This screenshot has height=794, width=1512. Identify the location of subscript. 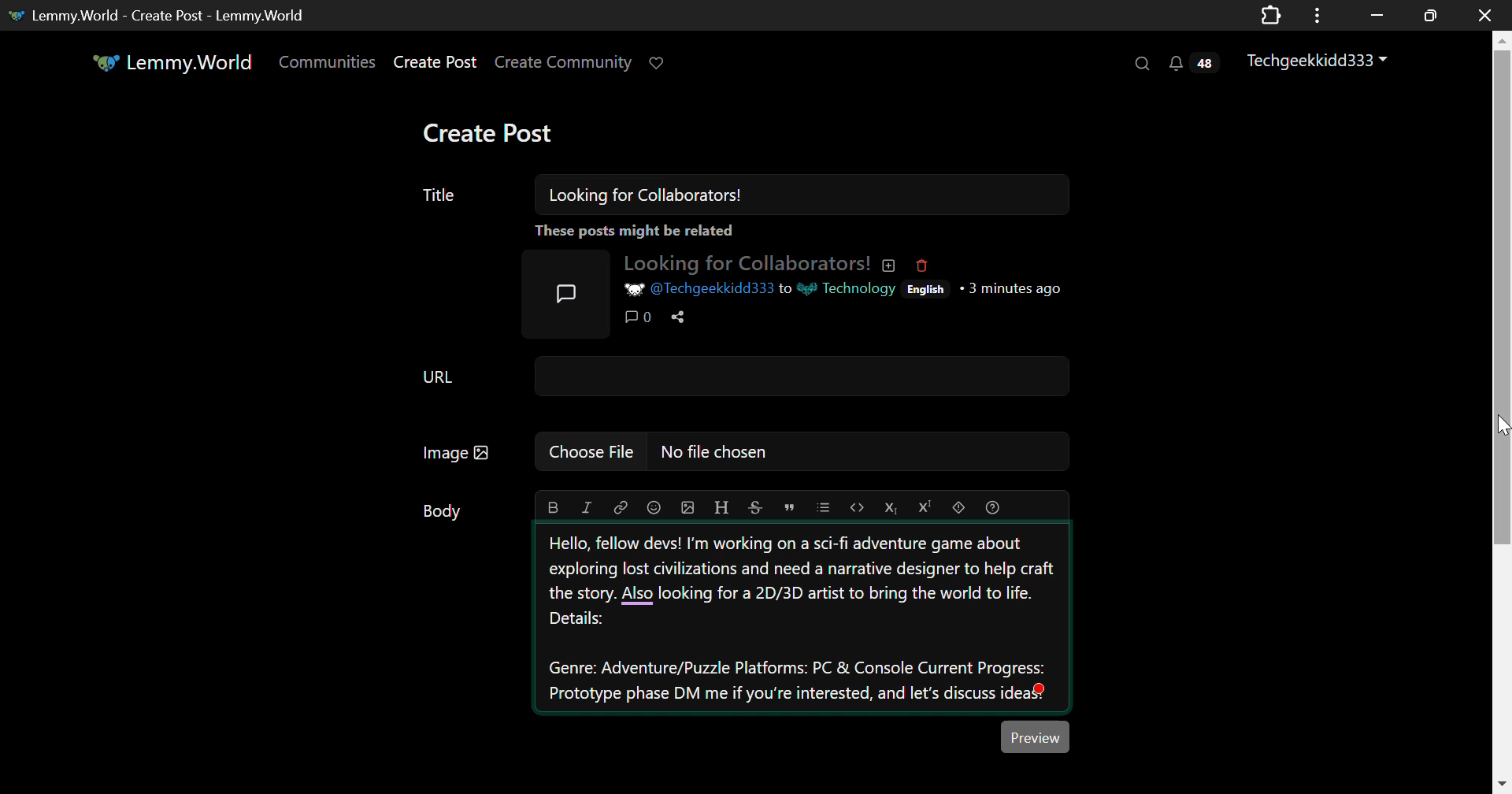
(892, 507).